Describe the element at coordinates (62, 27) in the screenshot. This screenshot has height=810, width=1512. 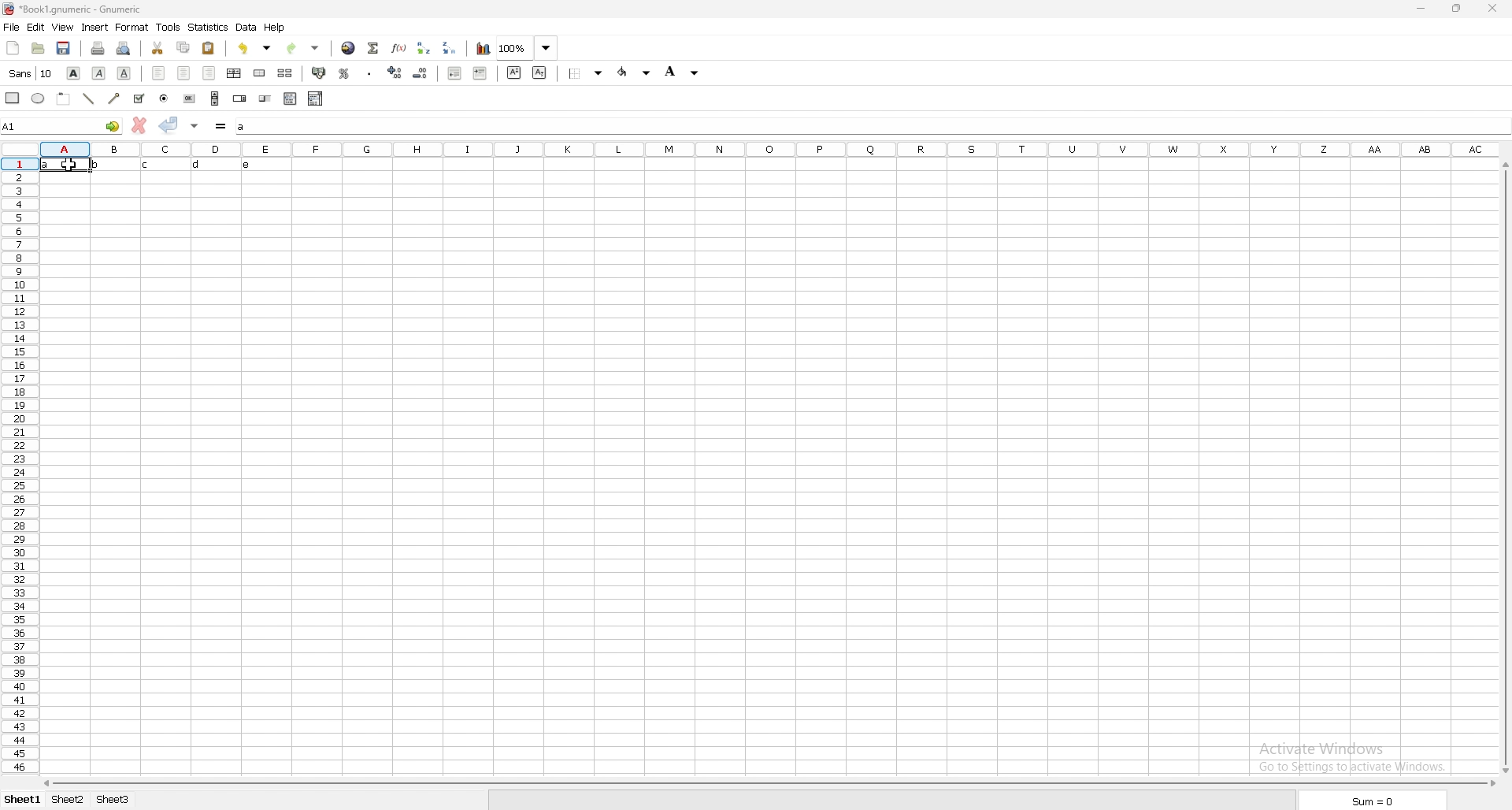
I see `view` at that location.